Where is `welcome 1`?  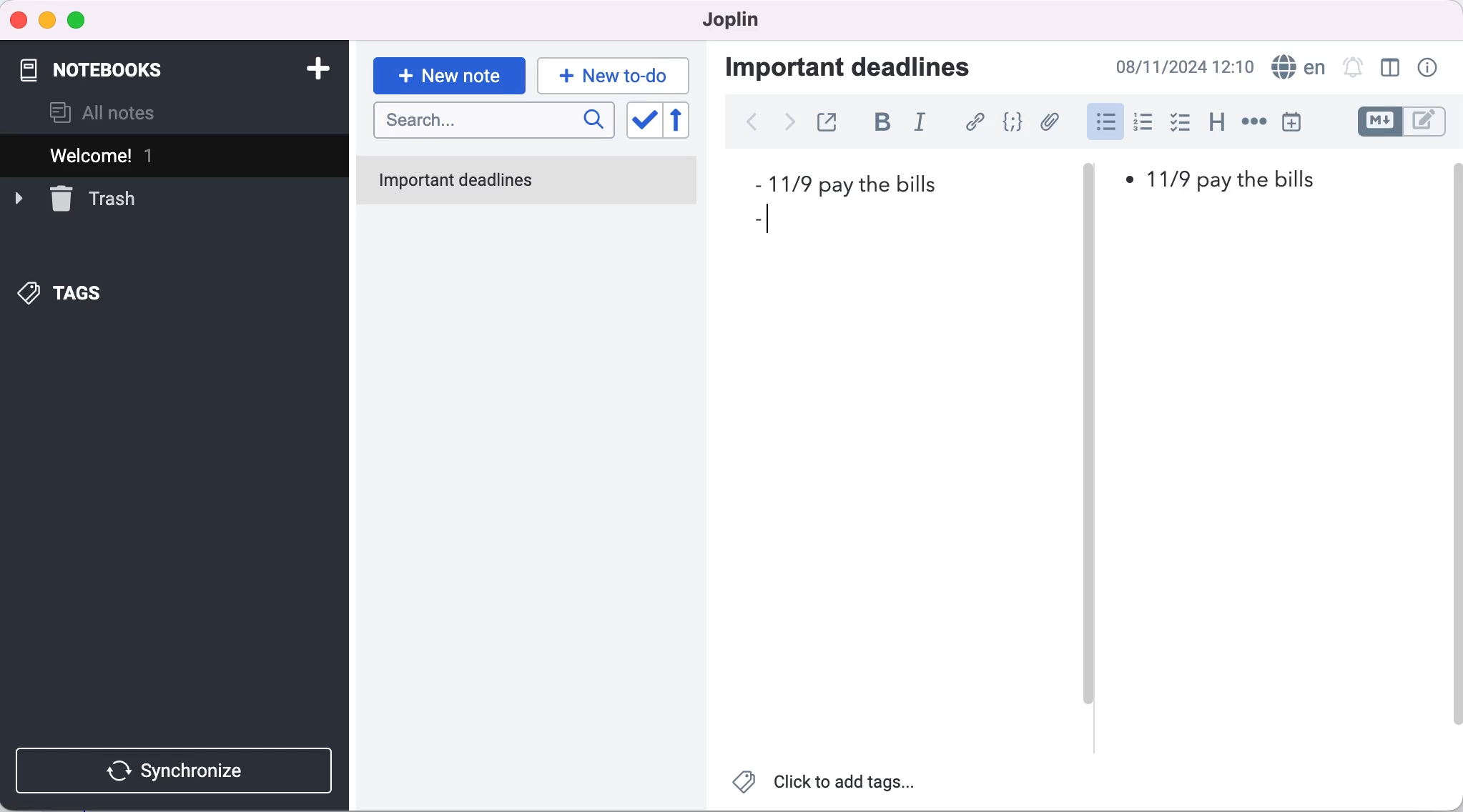 welcome 1 is located at coordinates (152, 156).